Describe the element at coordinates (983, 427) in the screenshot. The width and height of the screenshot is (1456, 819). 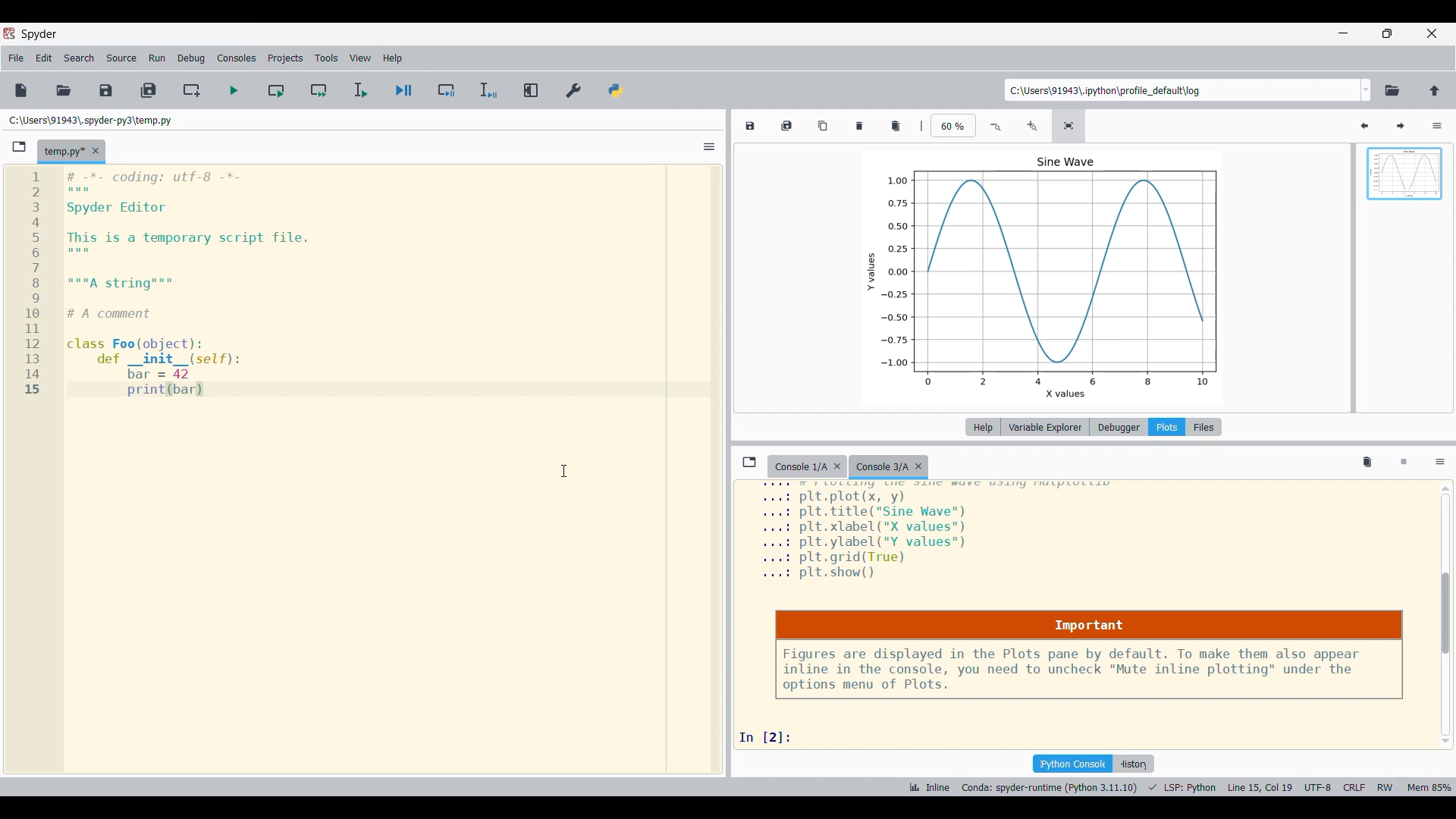
I see `Help` at that location.